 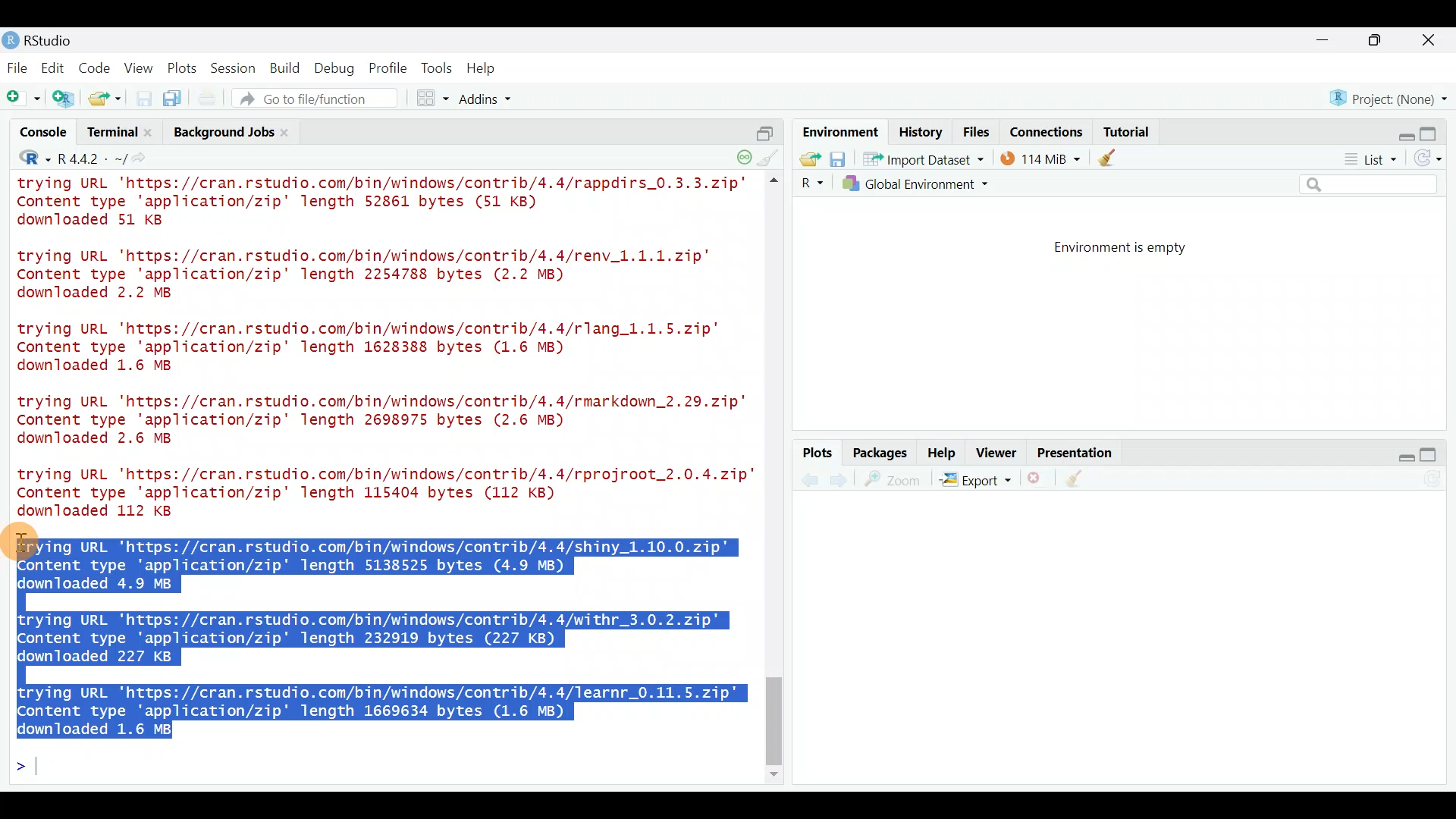 What do you see at coordinates (1437, 480) in the screenshot?
I see `Refresh current plot` at bounding box center [1437, 480].